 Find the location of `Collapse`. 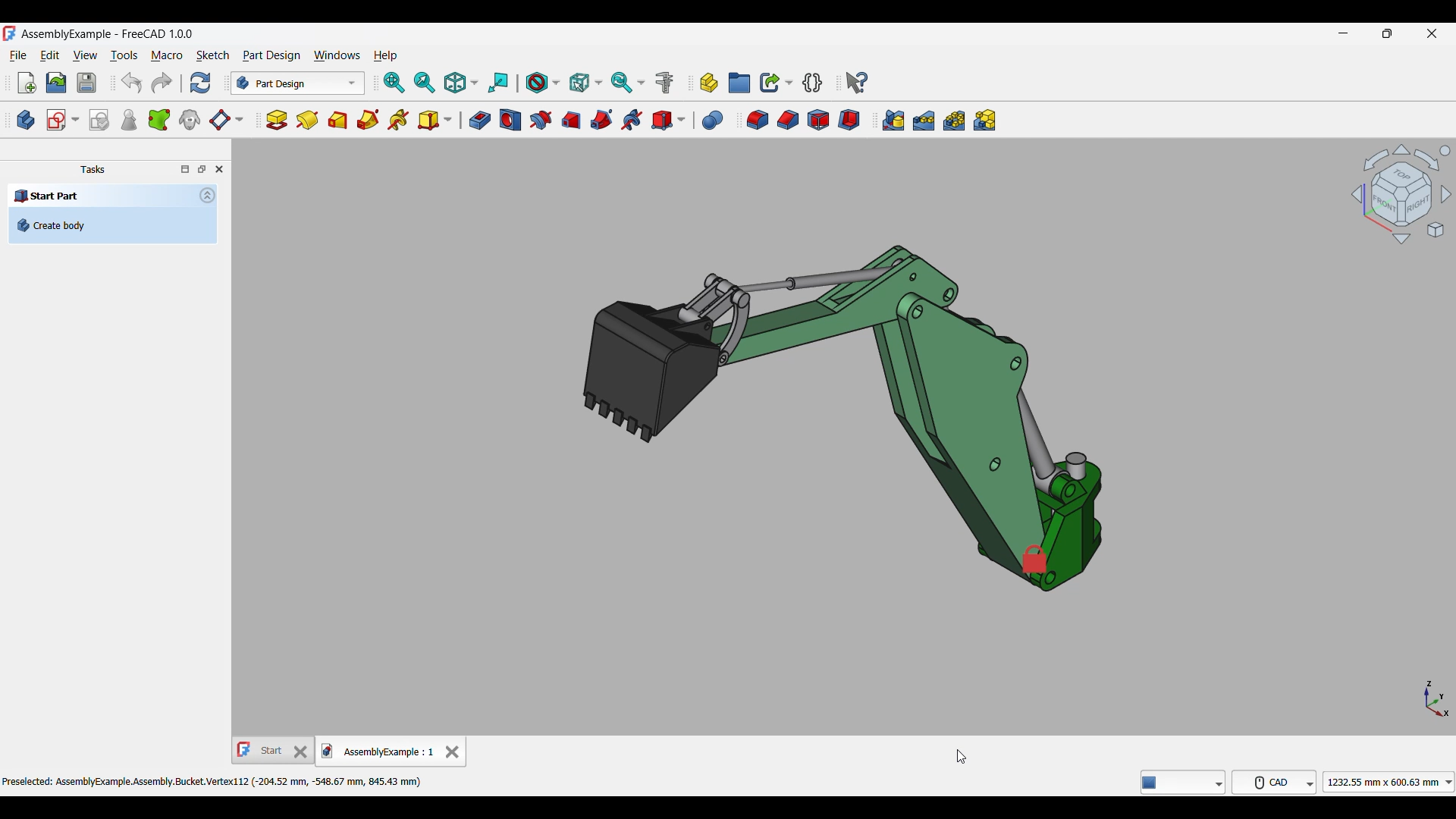

Collapse is located at coordinates (208, 195).